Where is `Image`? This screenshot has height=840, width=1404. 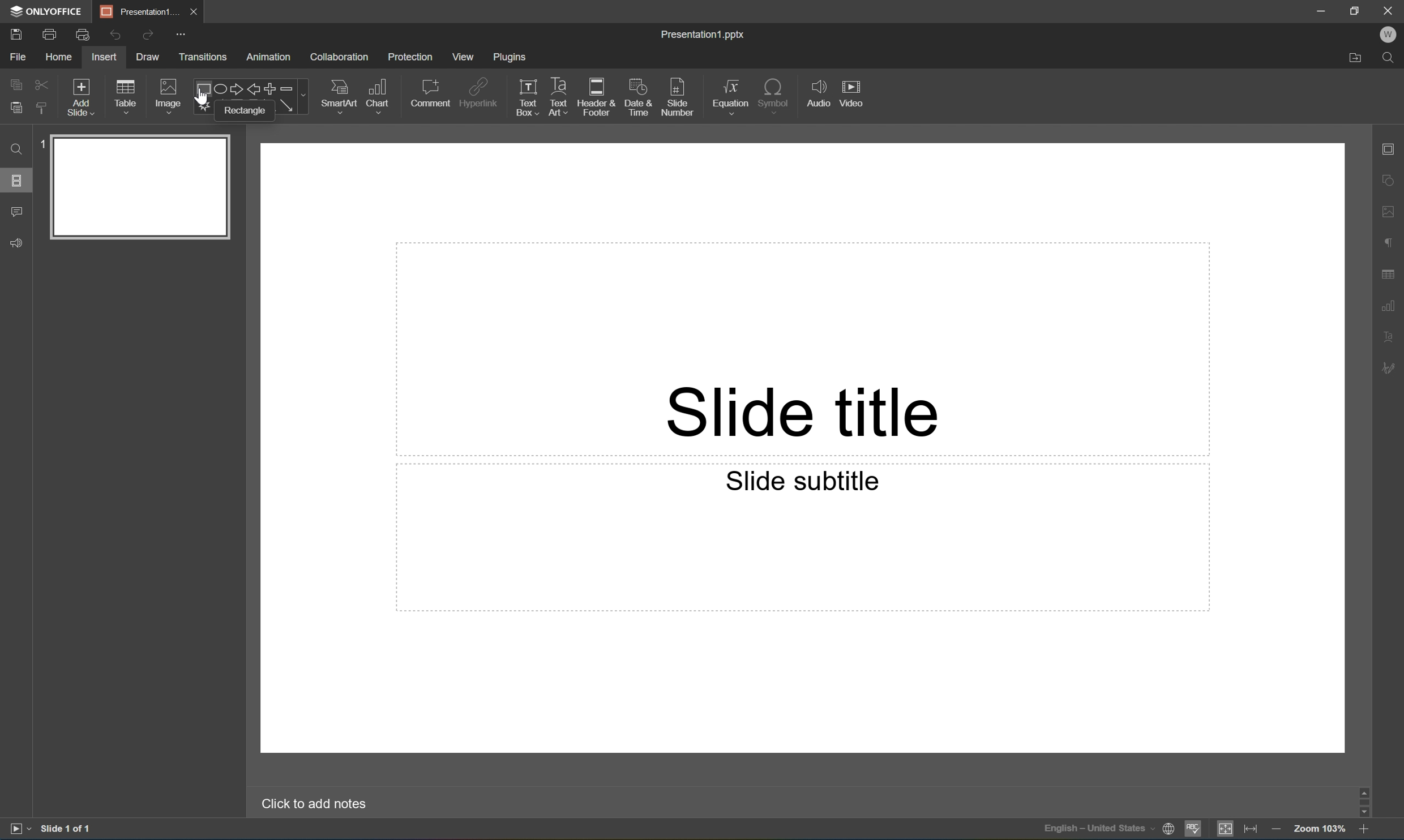
Image is located at coordinates (169, 95).